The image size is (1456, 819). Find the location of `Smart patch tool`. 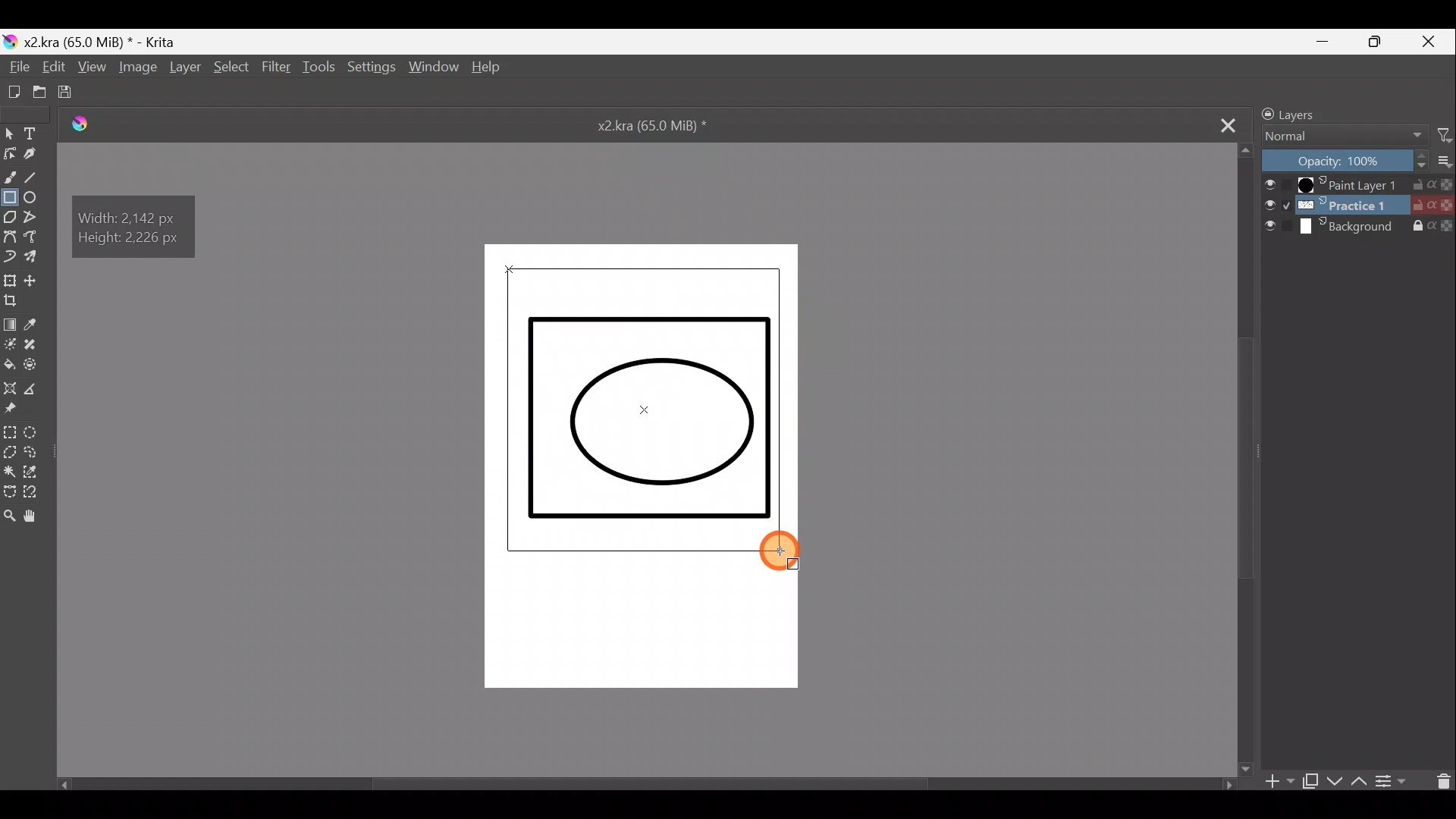

Smart patch tool is located at coordinates (36, 346).